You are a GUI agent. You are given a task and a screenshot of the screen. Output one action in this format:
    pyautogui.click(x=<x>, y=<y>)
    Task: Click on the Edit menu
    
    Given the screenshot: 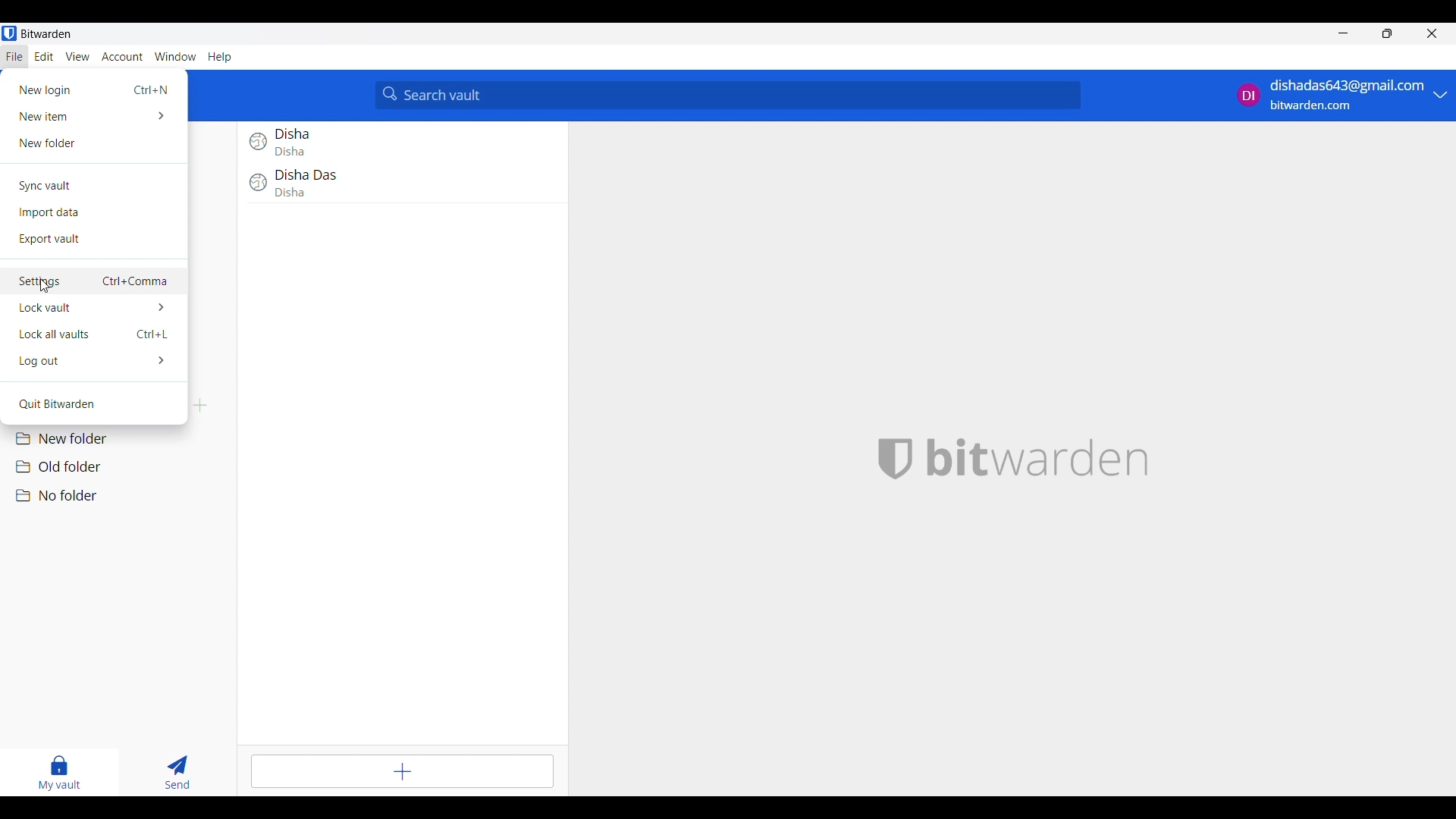 What is the action you would take?
    pyautogui.click(x=44, y=56)
    